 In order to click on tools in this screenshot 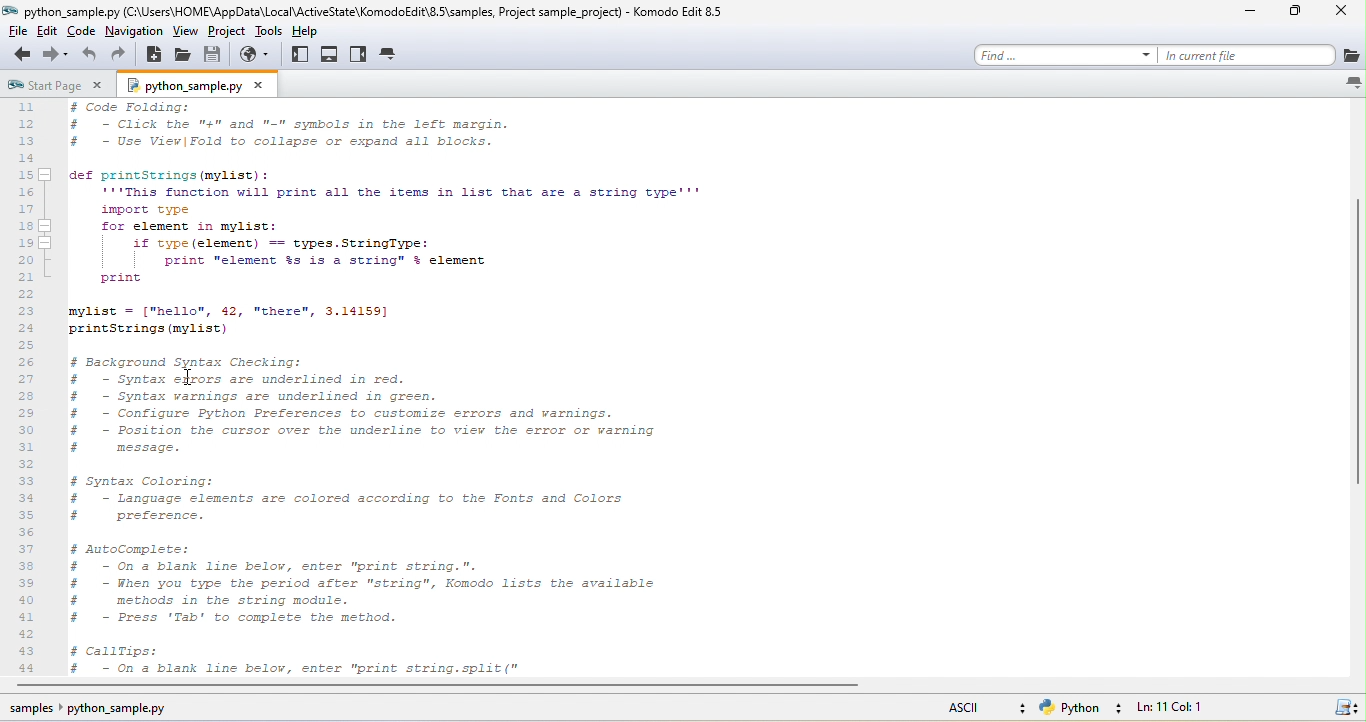, I will do `click(271, 33)`.